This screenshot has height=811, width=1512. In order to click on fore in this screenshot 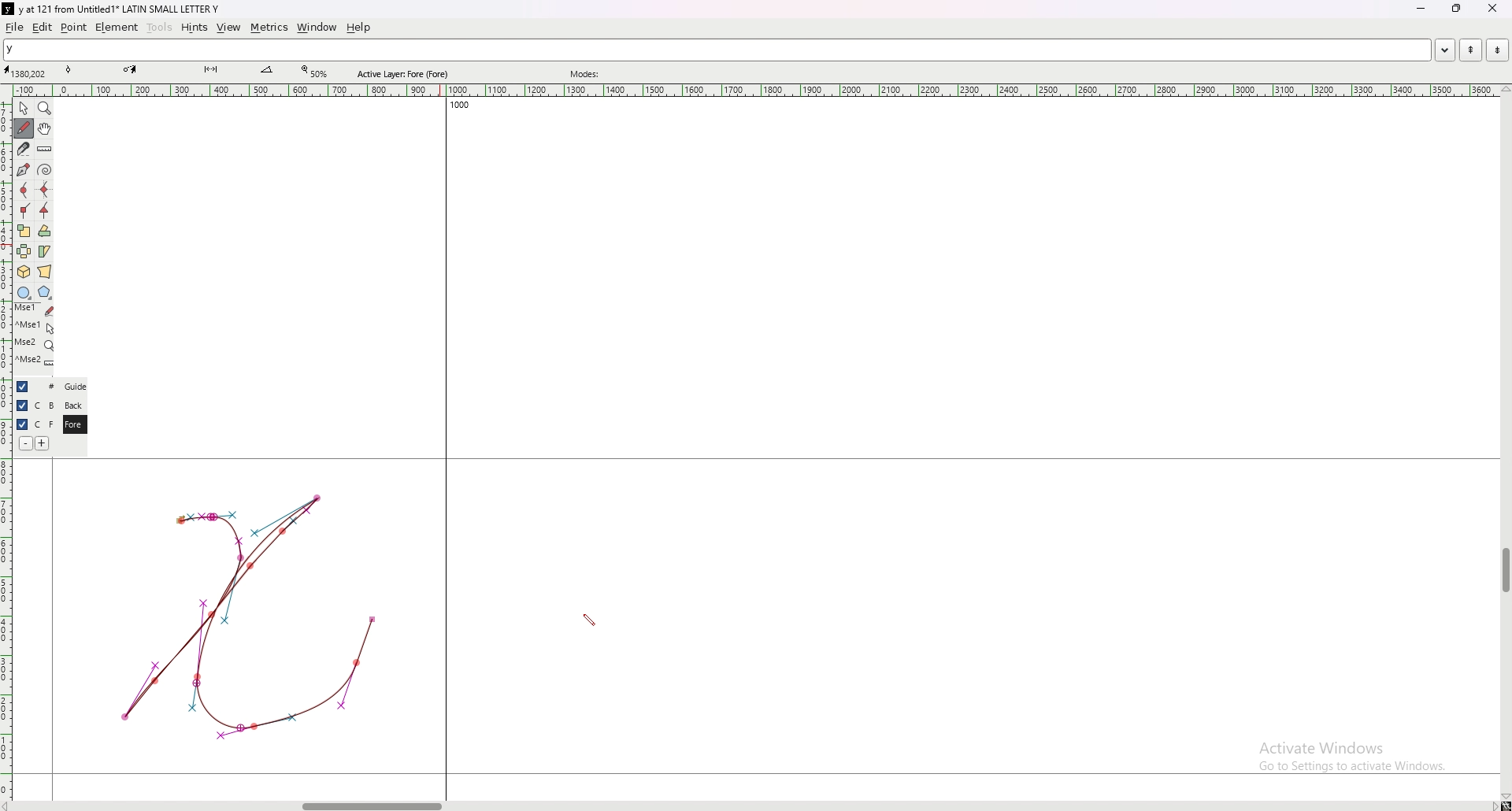, I will do `click(73, 425)`.